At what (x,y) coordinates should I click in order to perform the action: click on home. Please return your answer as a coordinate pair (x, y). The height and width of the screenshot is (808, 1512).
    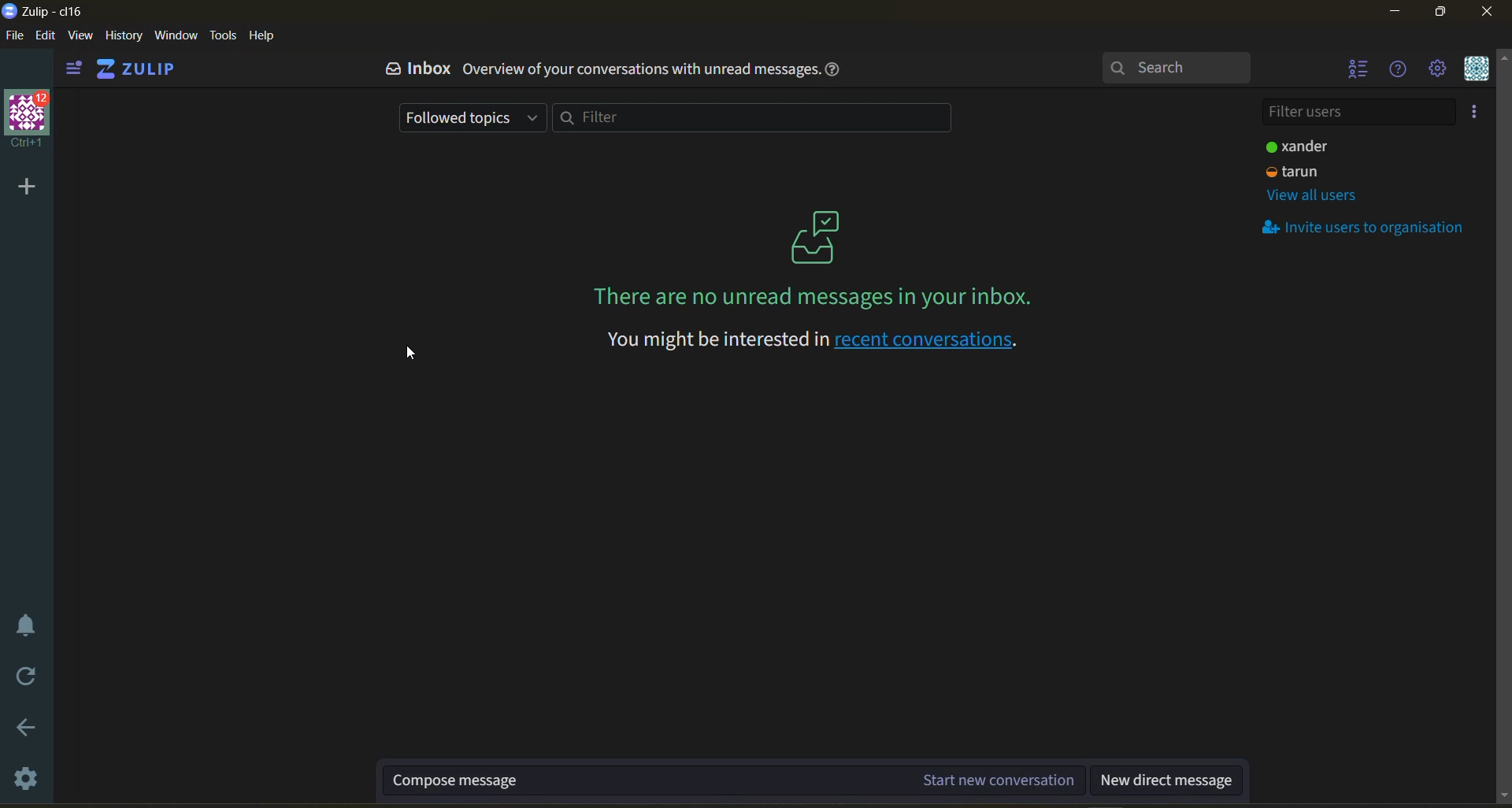
    Looking at the image, I should click on (145, 69).